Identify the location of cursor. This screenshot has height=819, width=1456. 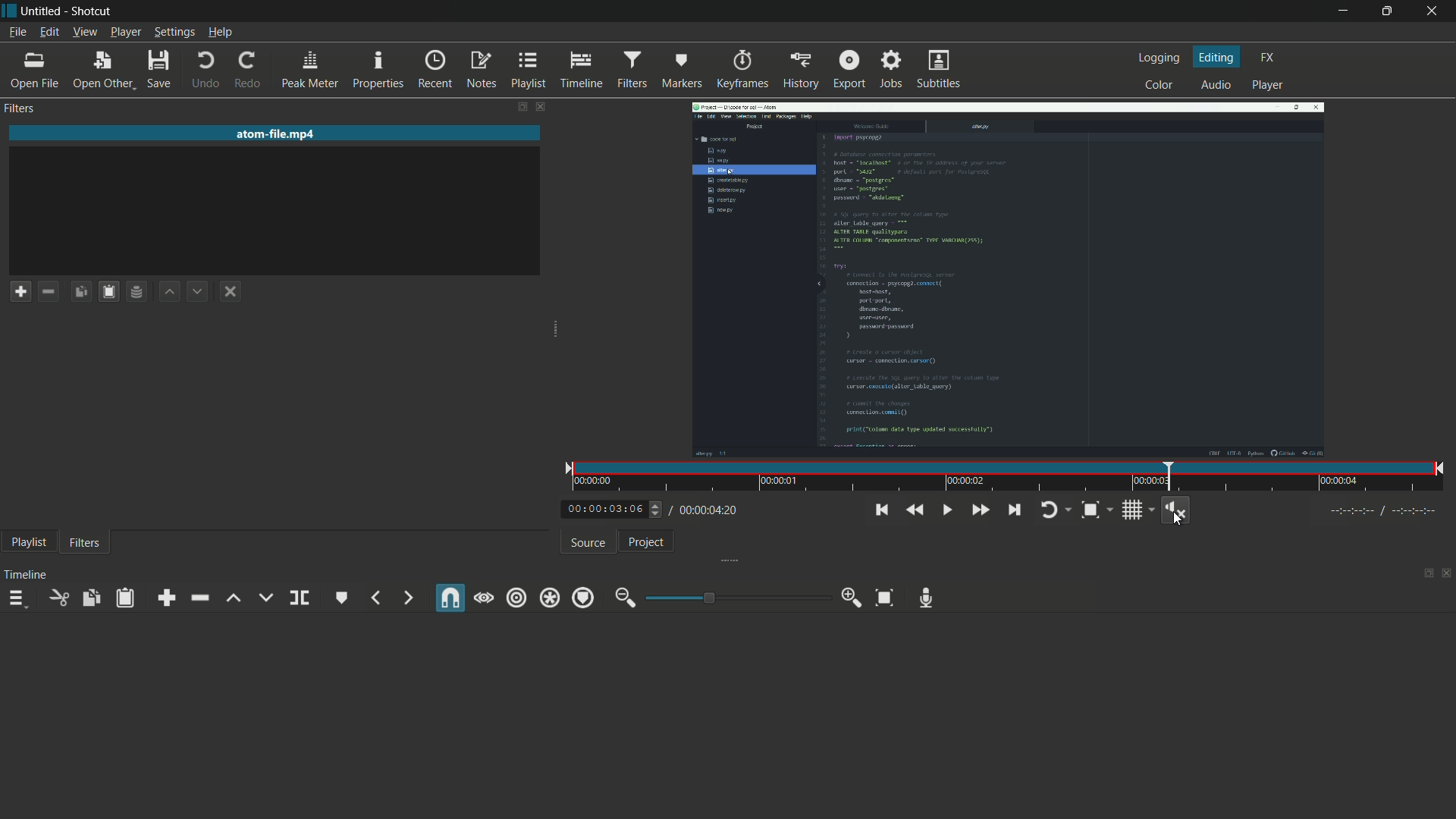
(1177, 519).